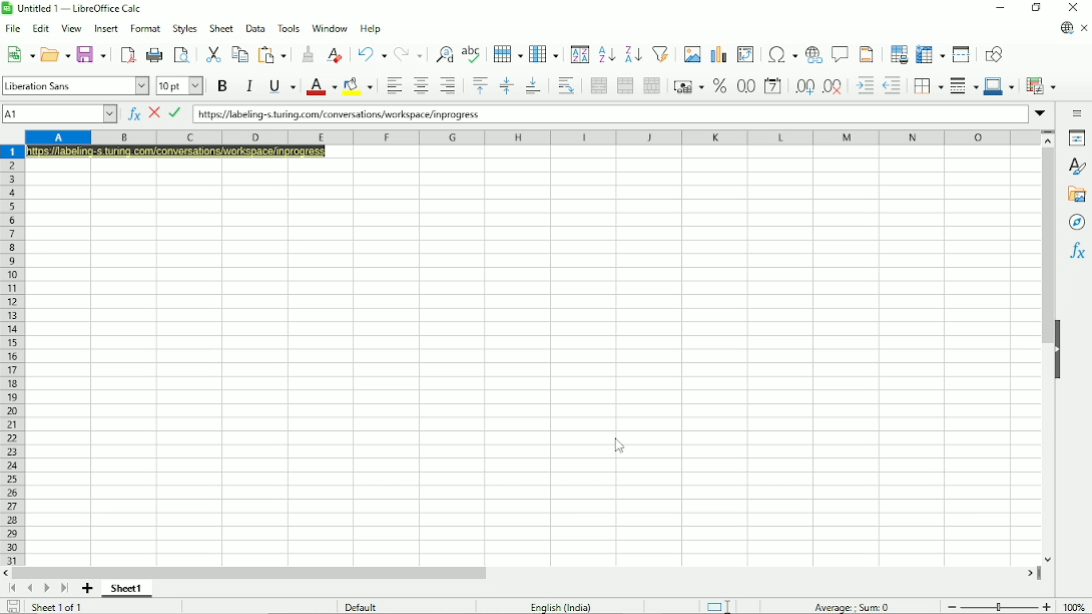  I want to click on Borders, so click(928, 87).